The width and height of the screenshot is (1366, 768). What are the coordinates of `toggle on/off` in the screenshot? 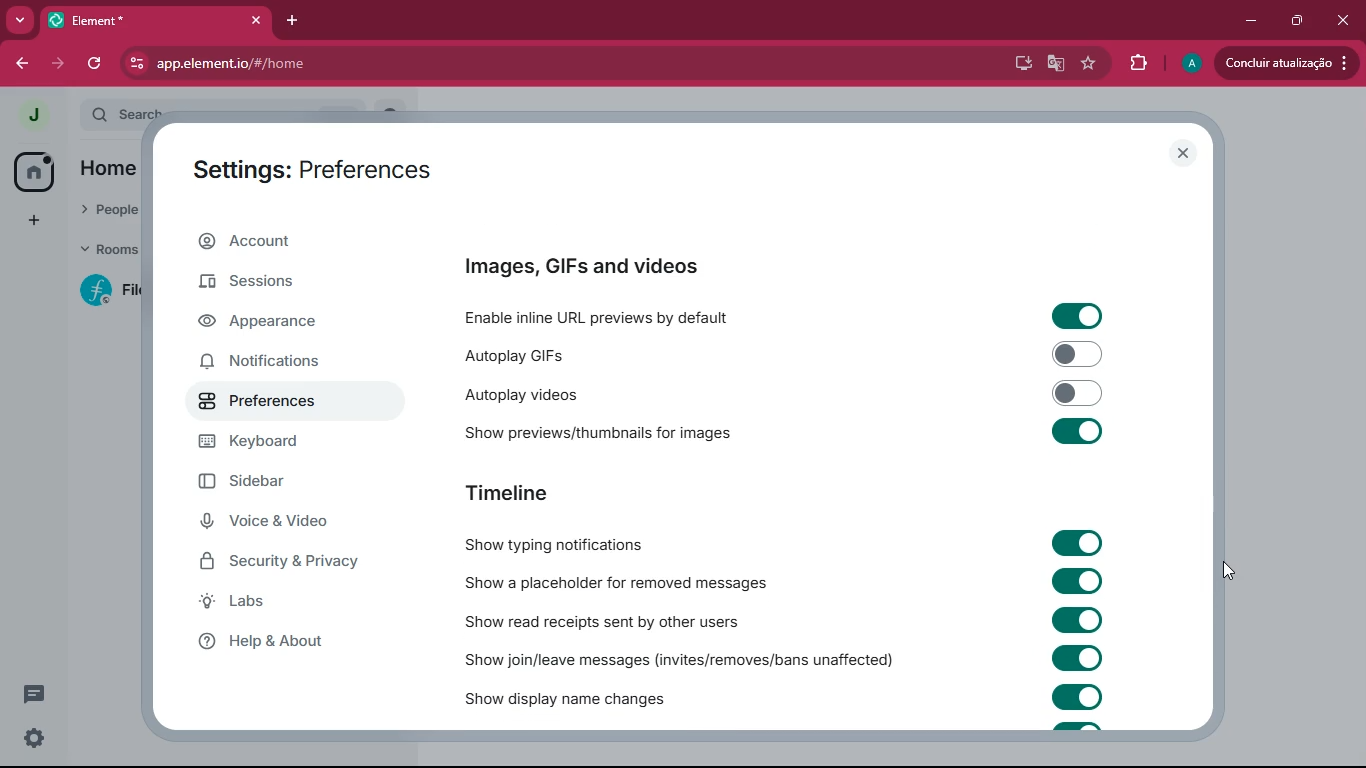 It's located at (1078, 393).